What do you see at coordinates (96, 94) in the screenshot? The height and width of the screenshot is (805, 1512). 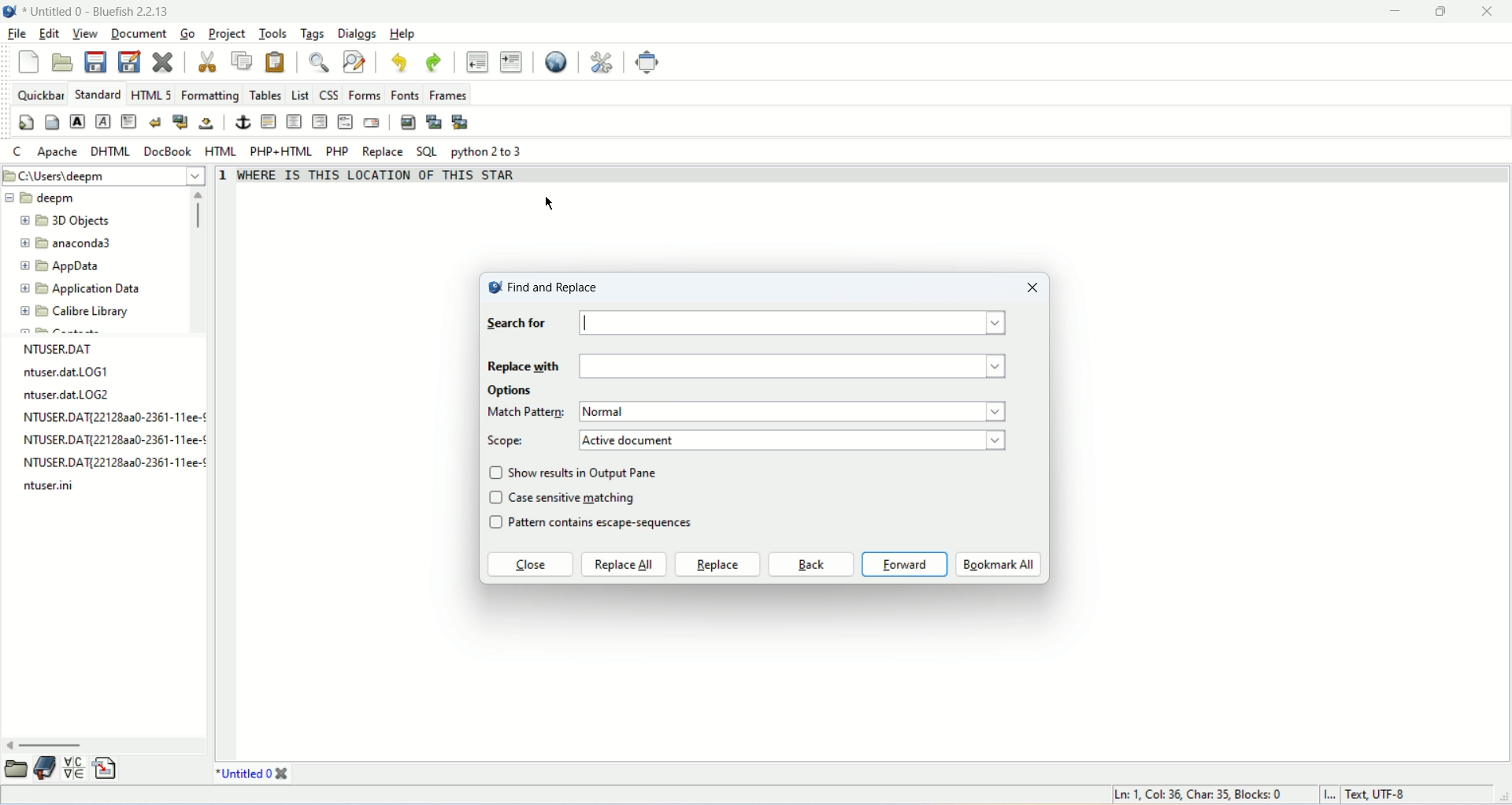 I see `standard` at bounding box center [96, 94].